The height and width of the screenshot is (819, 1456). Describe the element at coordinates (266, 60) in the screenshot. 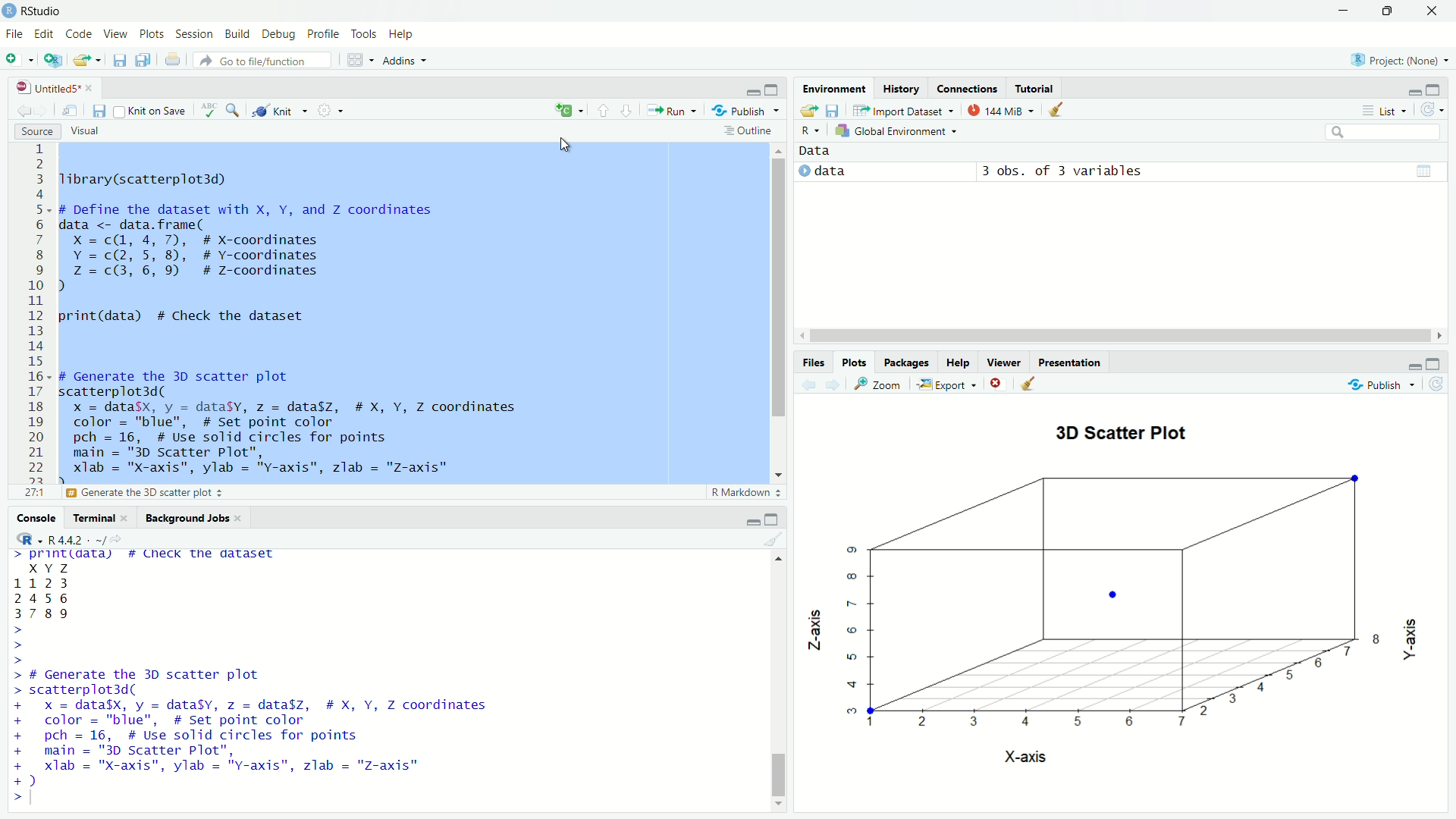

I see `go to file/function` at that location.